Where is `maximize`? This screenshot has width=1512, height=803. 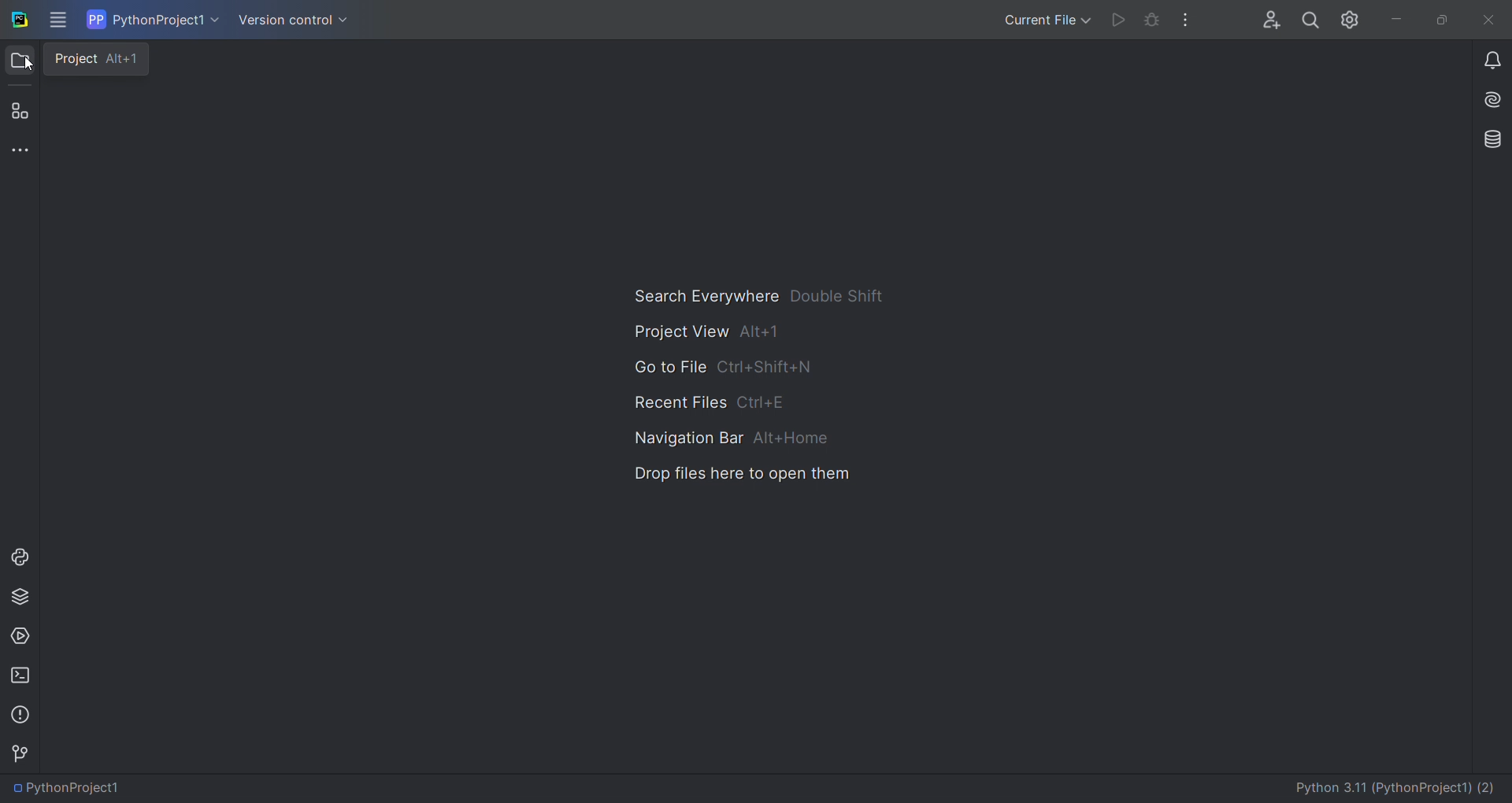 maximize is located at coordinates (1447, 16).